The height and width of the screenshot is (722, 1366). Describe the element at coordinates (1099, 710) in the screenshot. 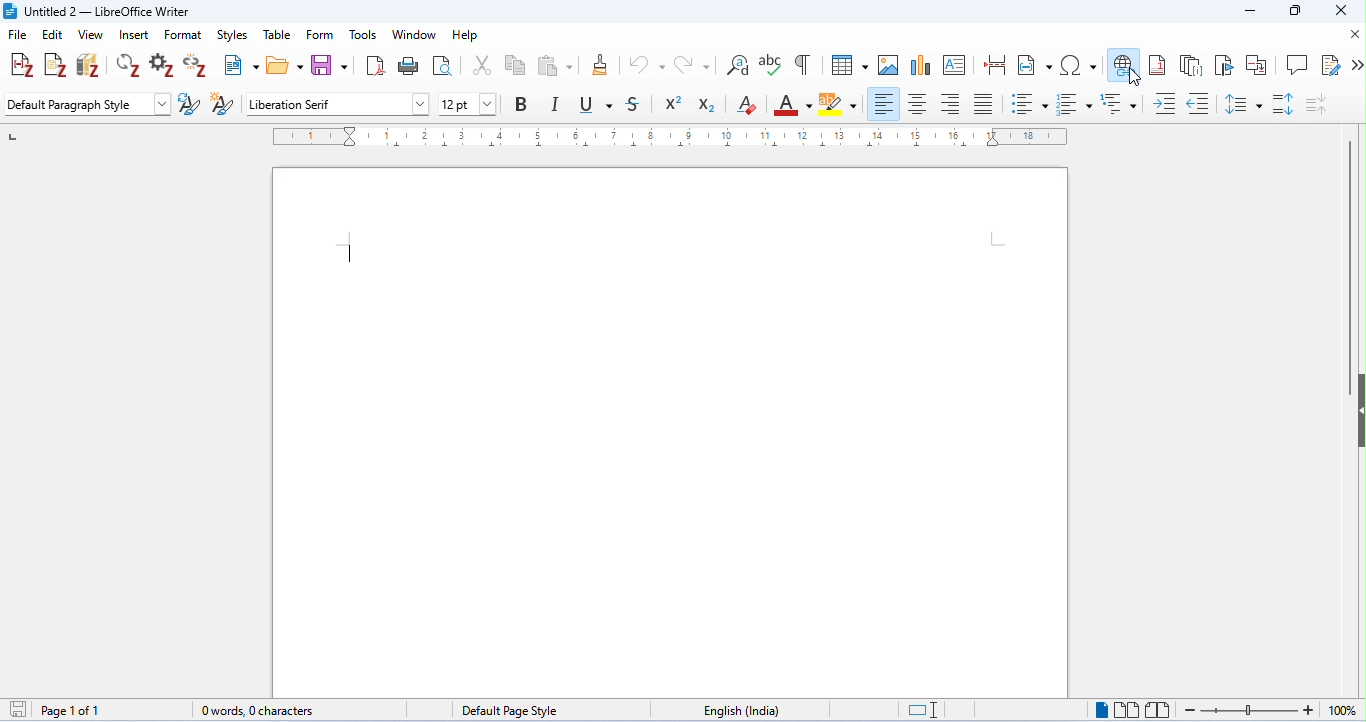

I see `single page view` at that location.